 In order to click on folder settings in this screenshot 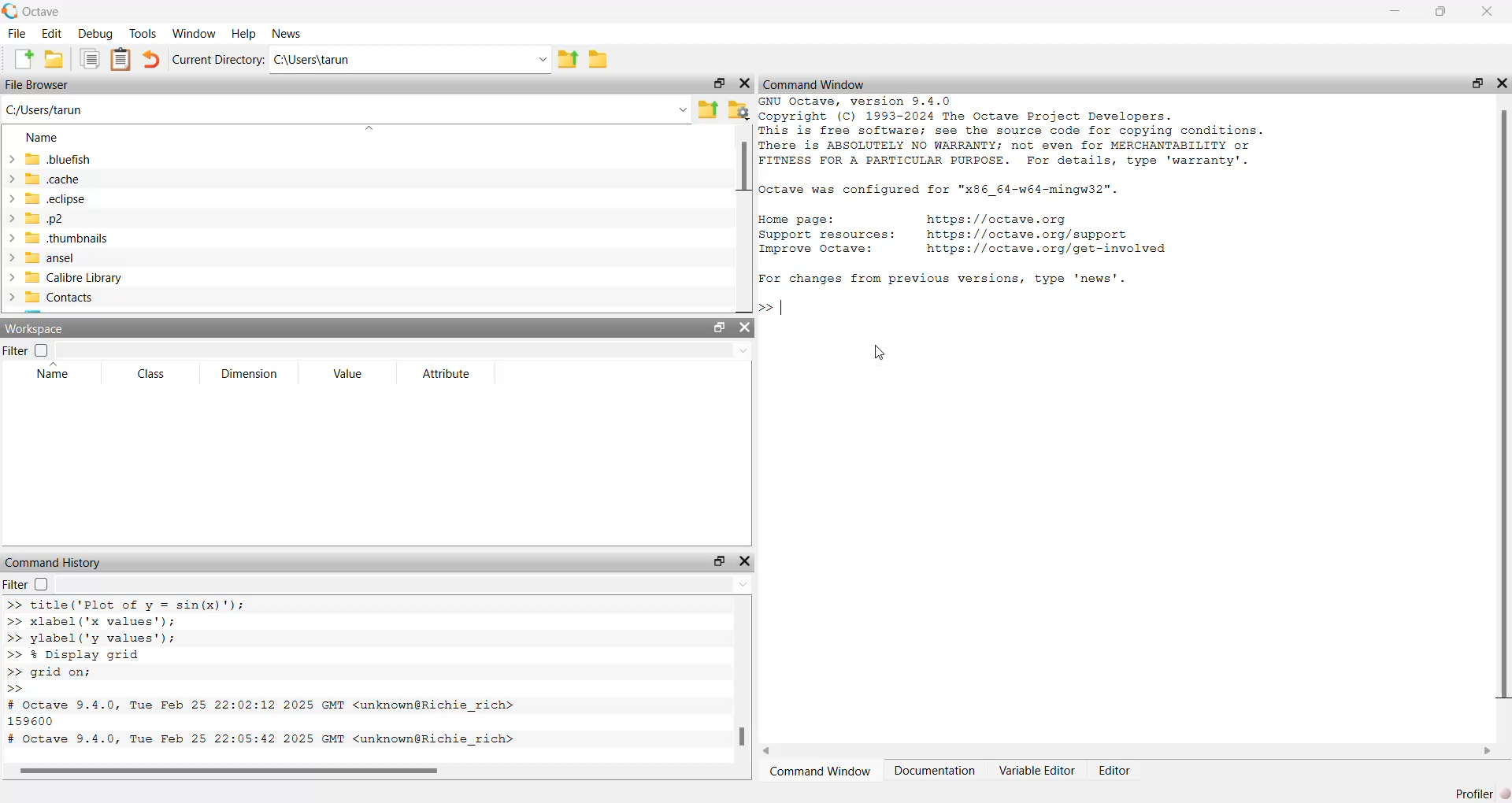, I will do `click(738, 109)`.